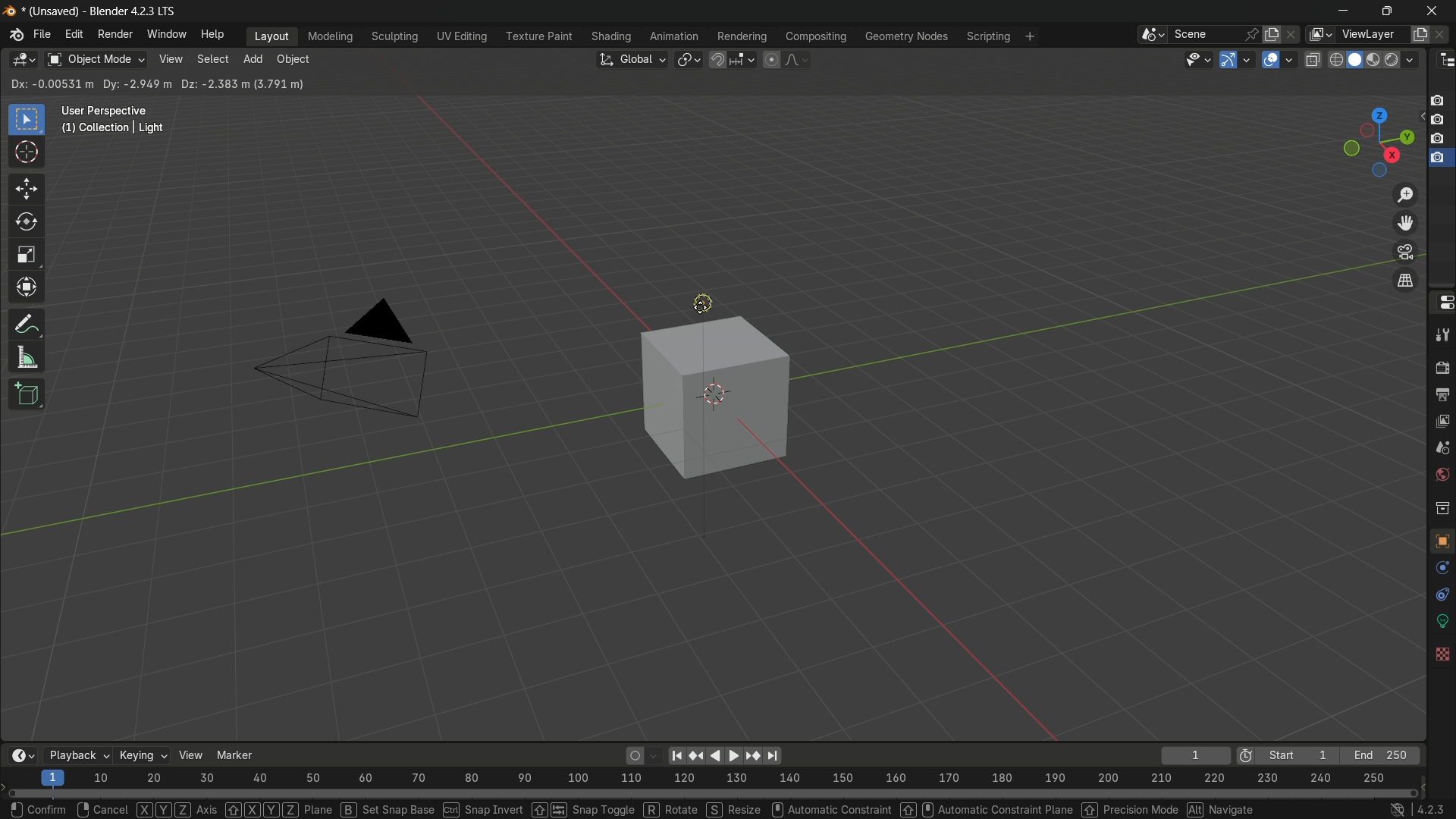 This screenshot has height=819, width=1456. What do you see at coordinates (642, 755) in the screenshot?
I see `auto keyframing` at bounding box center [642, 755].